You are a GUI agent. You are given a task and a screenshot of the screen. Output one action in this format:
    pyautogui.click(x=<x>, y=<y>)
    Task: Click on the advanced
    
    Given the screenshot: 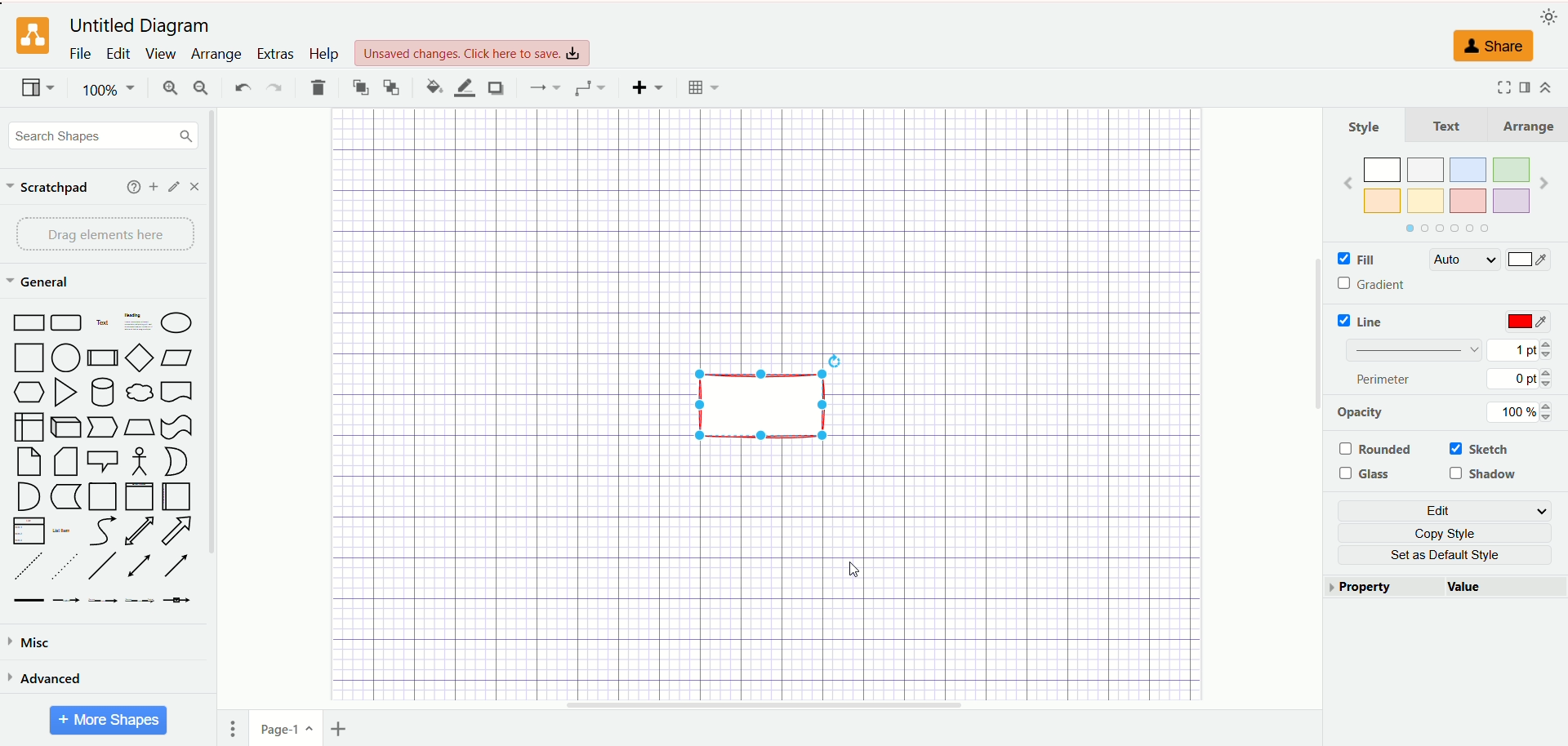 What is the action you would take?
    pyautogui.click(x=47, y=681)
    